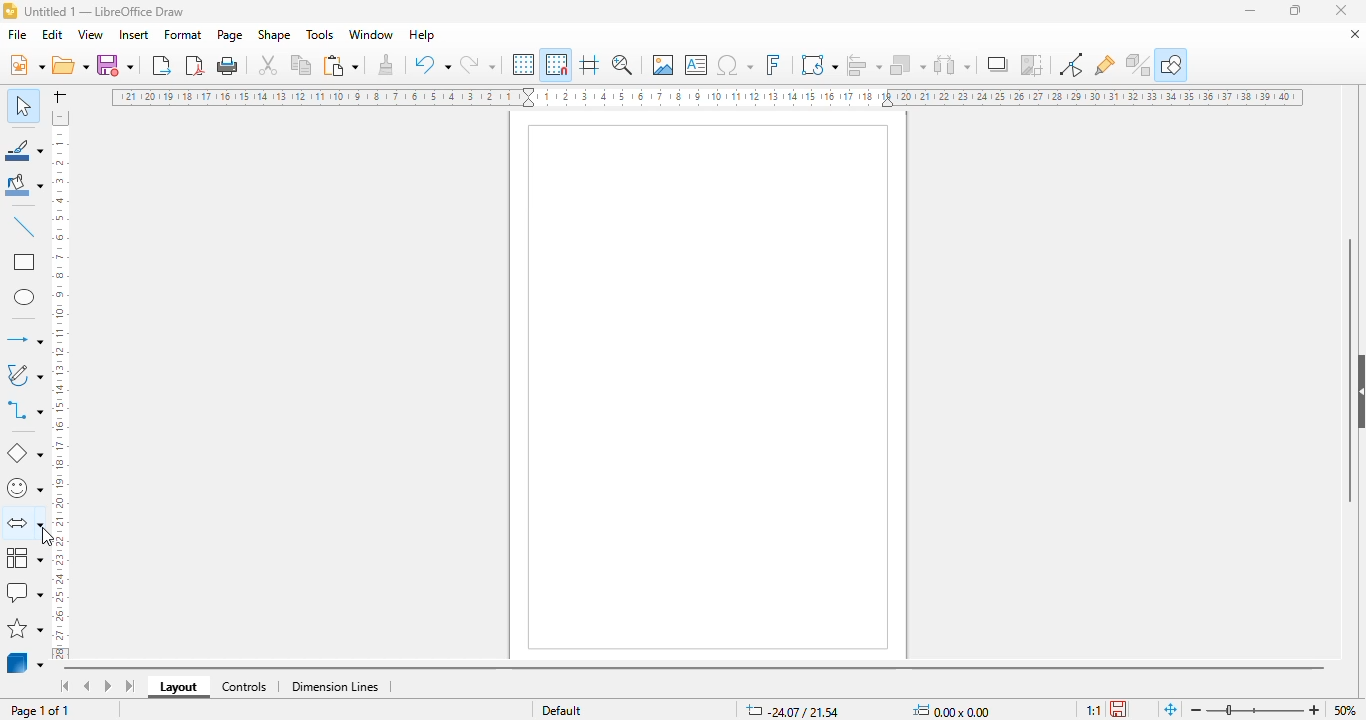 This screenshot has width=1366, height=720. What do you see at coordinates (195, 65) in the screenshot?
I see `export directly as PDF` at bounding box center [195, 65].